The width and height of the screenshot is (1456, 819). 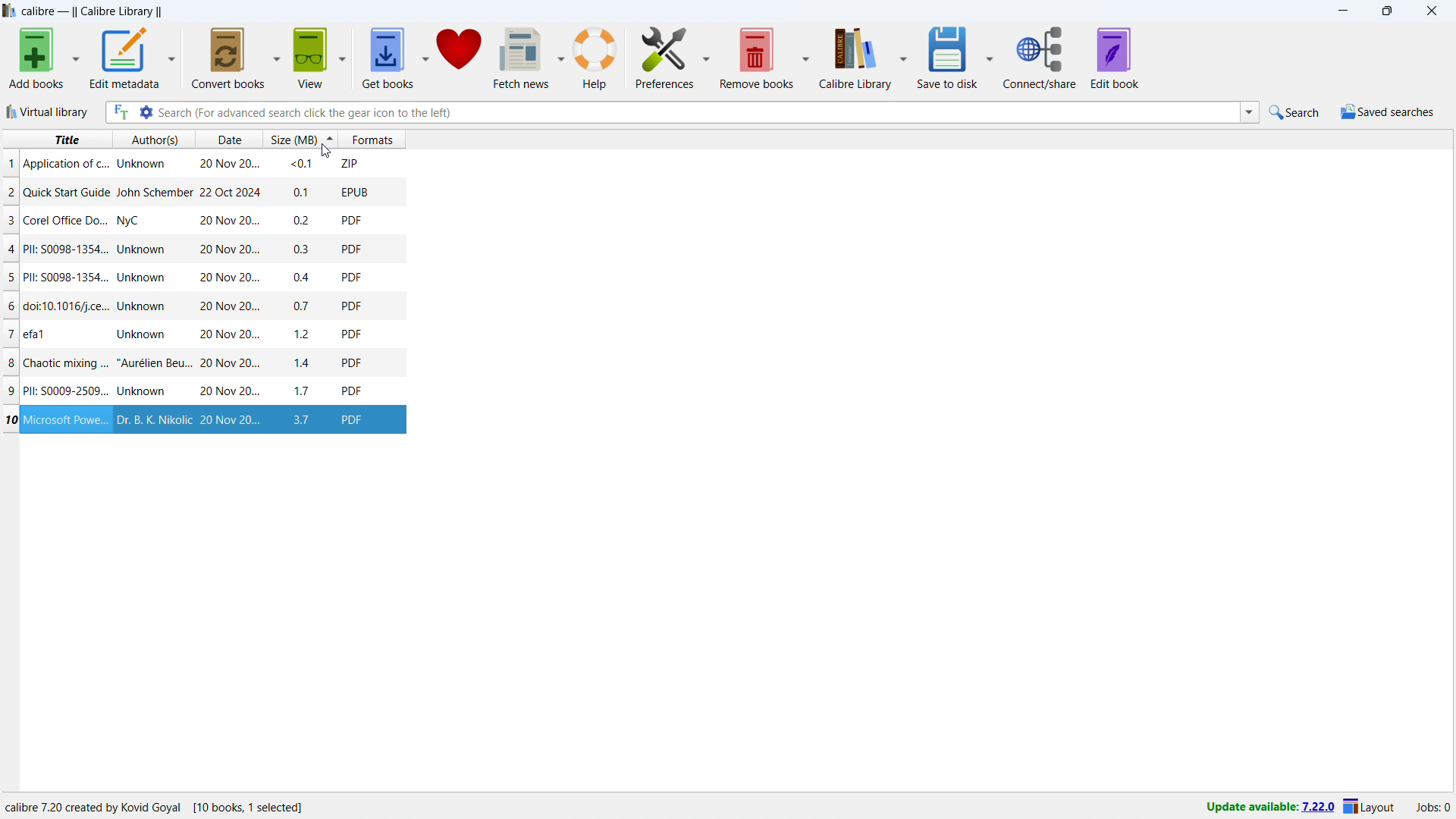 What do you see at coordinates (155, 139) in the screenshot?
I see `authors` at bounding box center [155, 139].